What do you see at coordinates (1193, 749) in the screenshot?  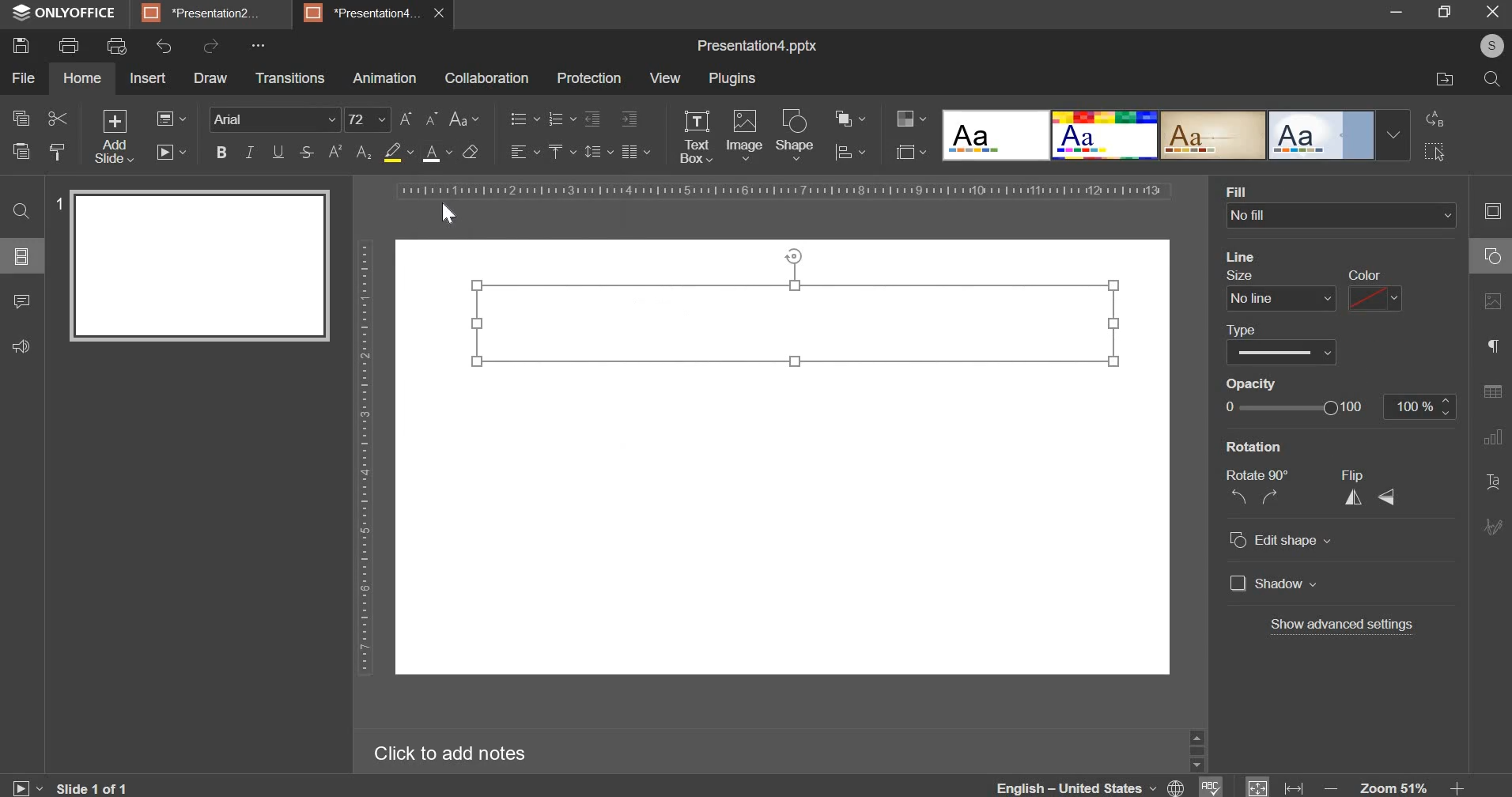 I see `scroll bar` at bounding box center [1193, 749].